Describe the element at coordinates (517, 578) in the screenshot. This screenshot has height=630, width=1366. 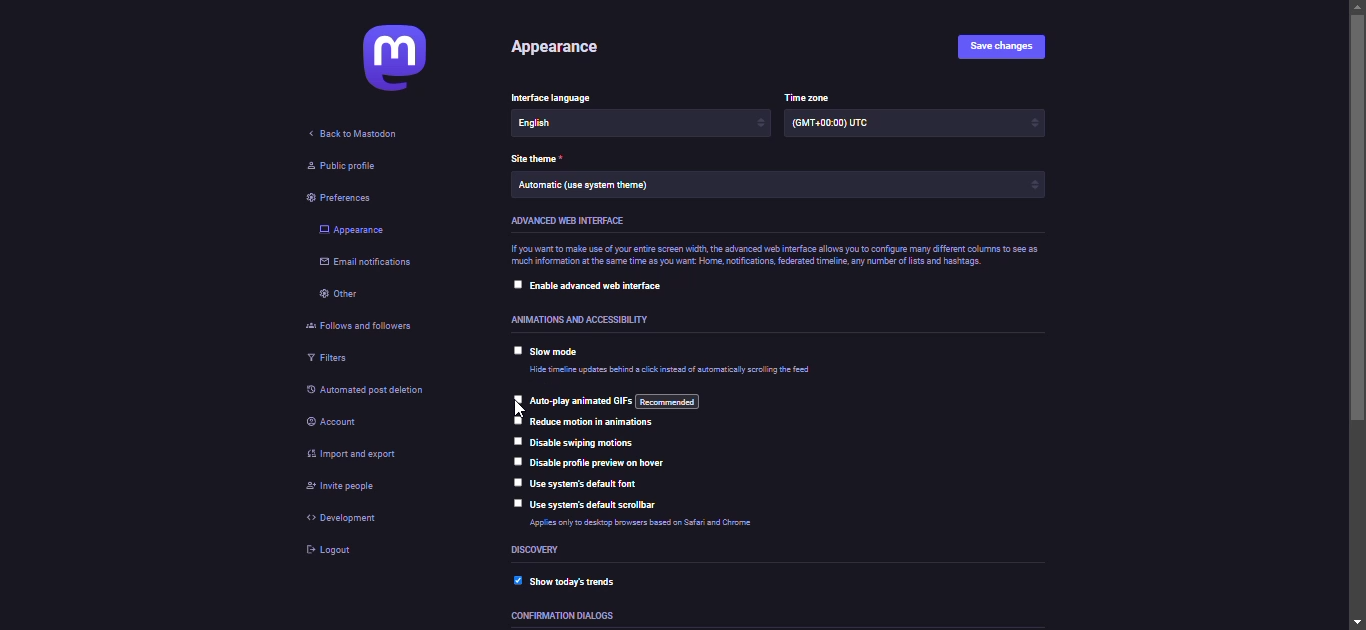
I see `enabled` at that location.